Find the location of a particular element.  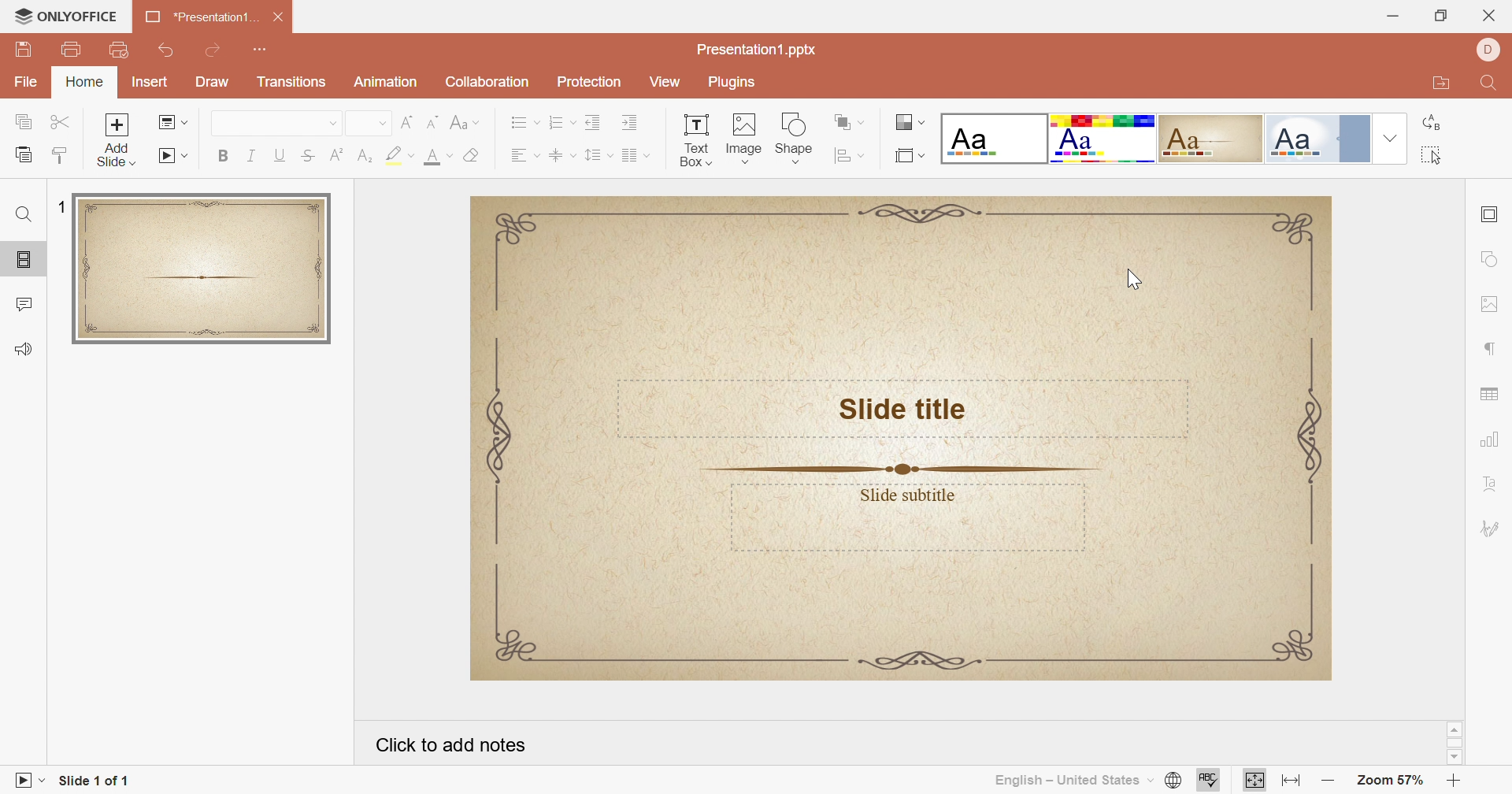

Restore Down is located at coordinates (1441, 15).